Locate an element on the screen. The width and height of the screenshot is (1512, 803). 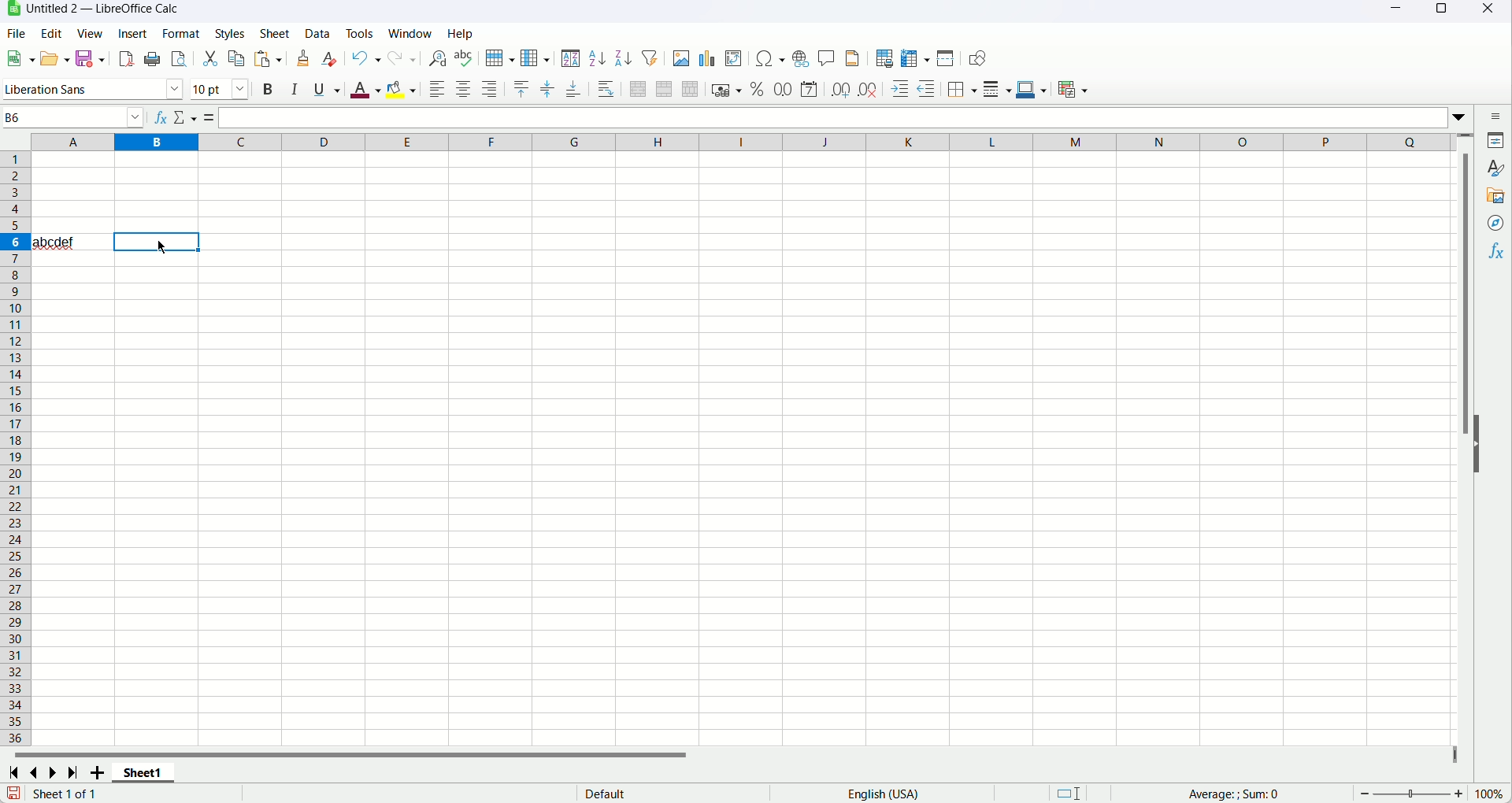
conditional is located at coordinates (1073, 91).